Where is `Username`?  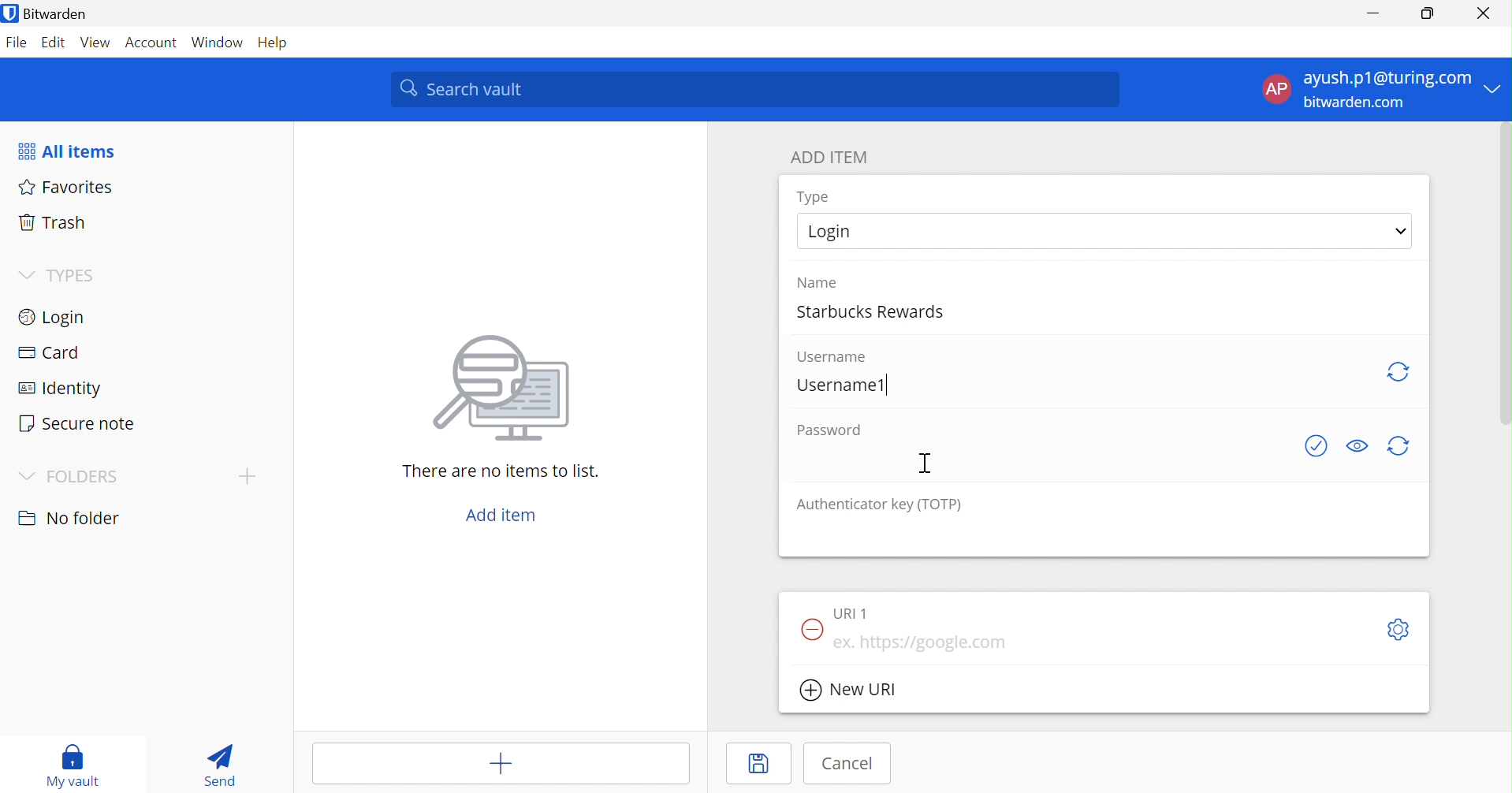
Username is located at coordinates (836, 357).